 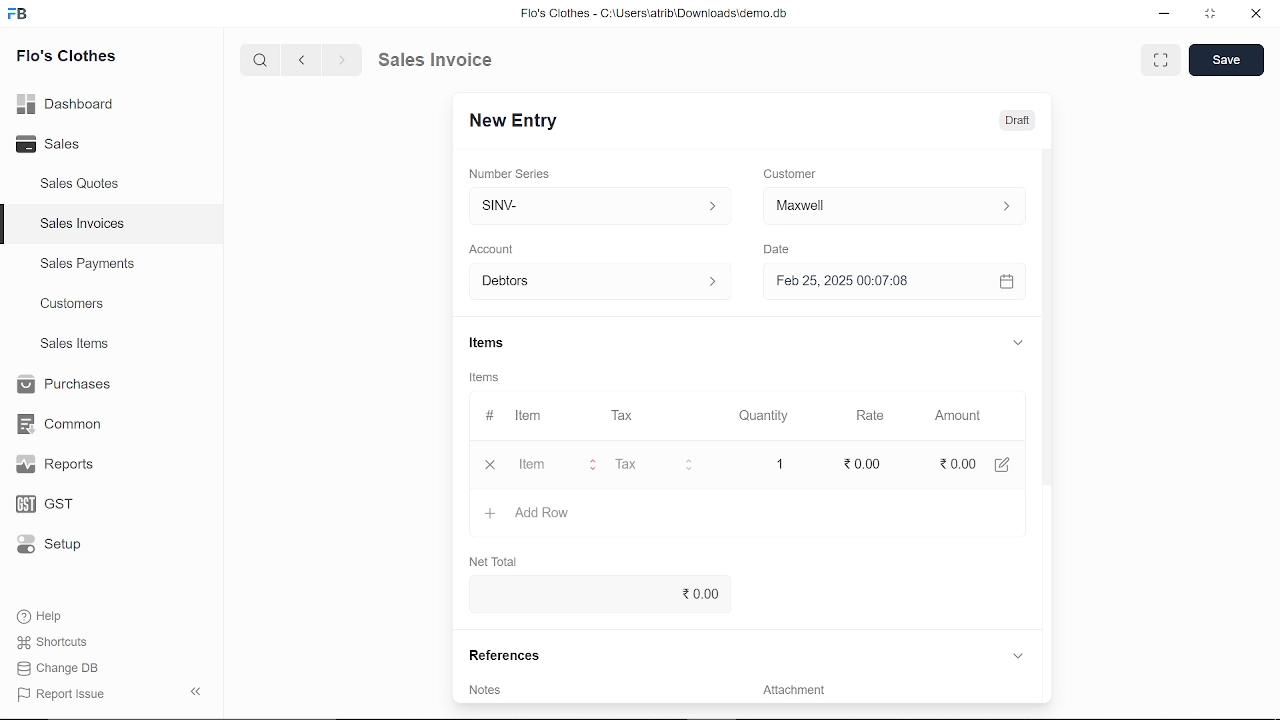 What do you see at coordinates (515, 122) in the screenshot?
I see `New Entry` at bounding box center [515, 122].